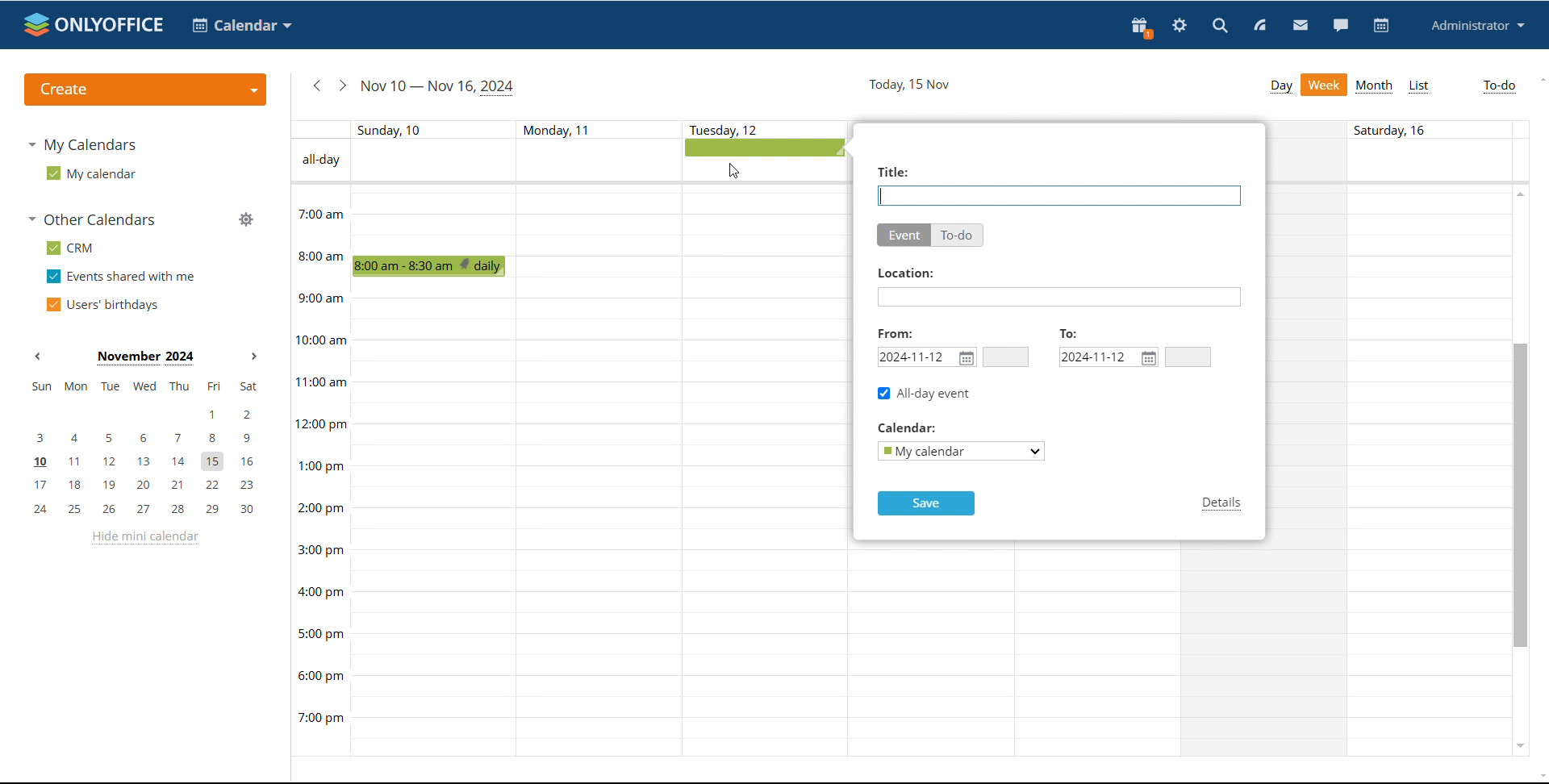 This screenshot has height=784, width=1549. What do you see at coordinates (764, 148) in the screenshot?
I see `all-day event being added` at bounding box center [764, 148].